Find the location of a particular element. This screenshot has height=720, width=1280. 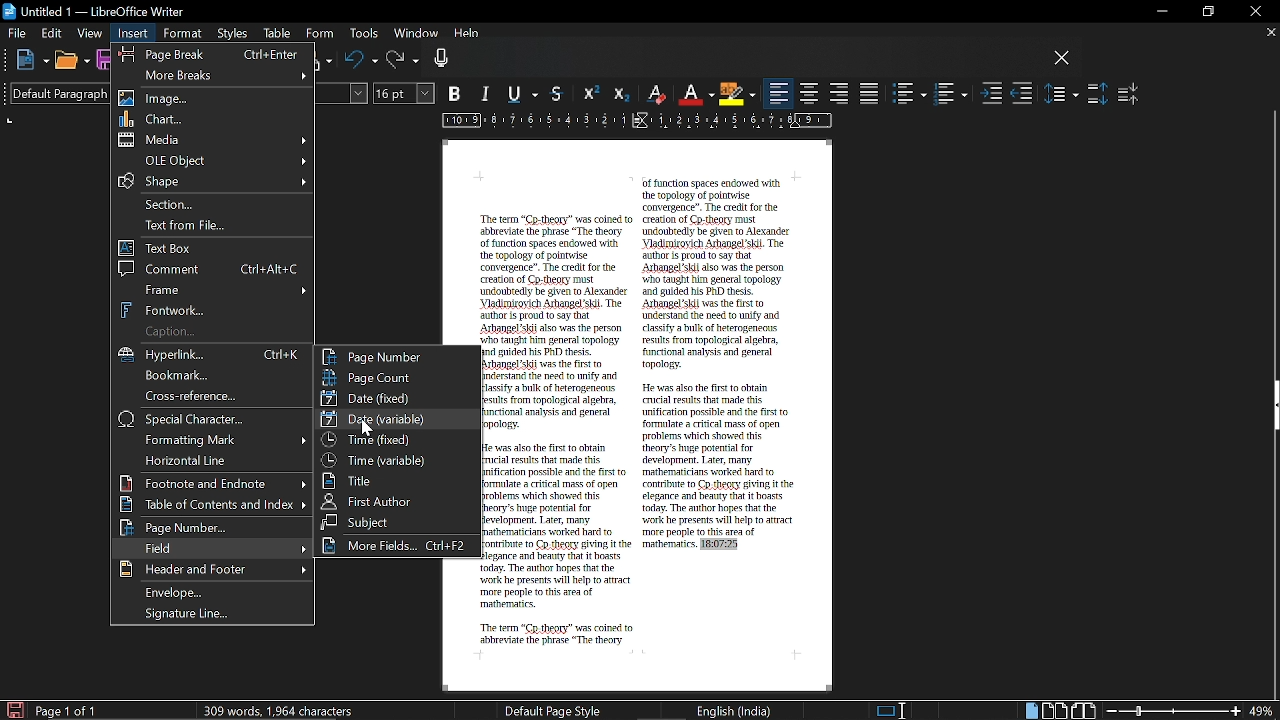

New is located at coordinates (32, 61).